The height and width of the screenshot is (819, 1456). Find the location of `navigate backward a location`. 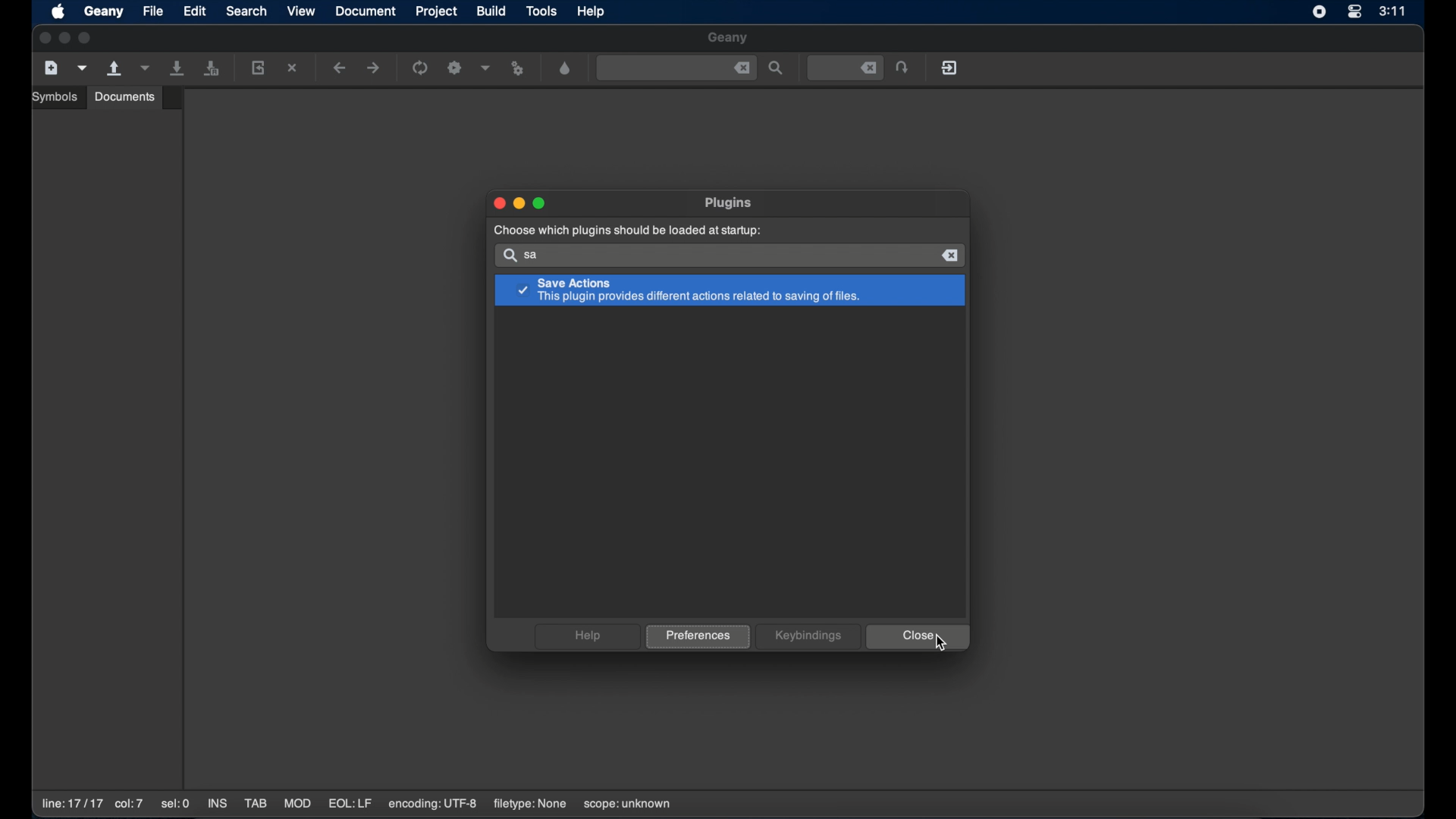

navigate backward a location is located at coordinates (340, 69).